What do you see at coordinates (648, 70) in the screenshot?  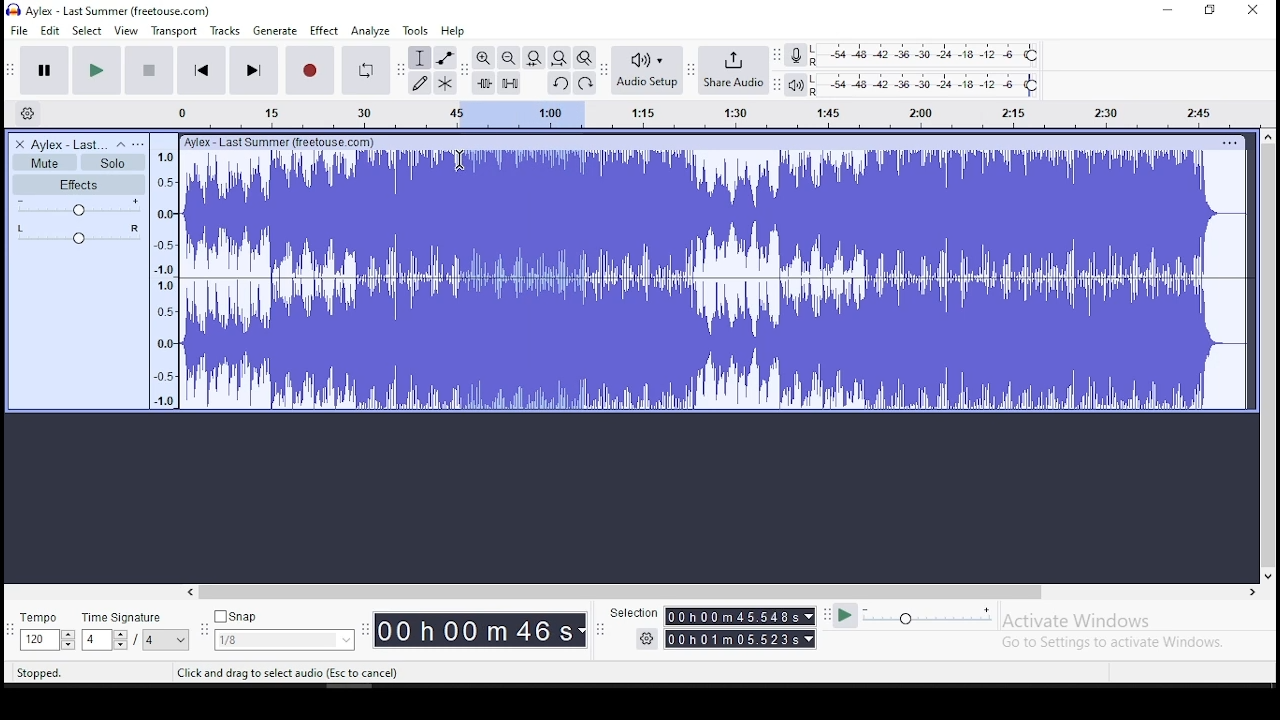 I see `audio setup` at bounding box center [648, 70].